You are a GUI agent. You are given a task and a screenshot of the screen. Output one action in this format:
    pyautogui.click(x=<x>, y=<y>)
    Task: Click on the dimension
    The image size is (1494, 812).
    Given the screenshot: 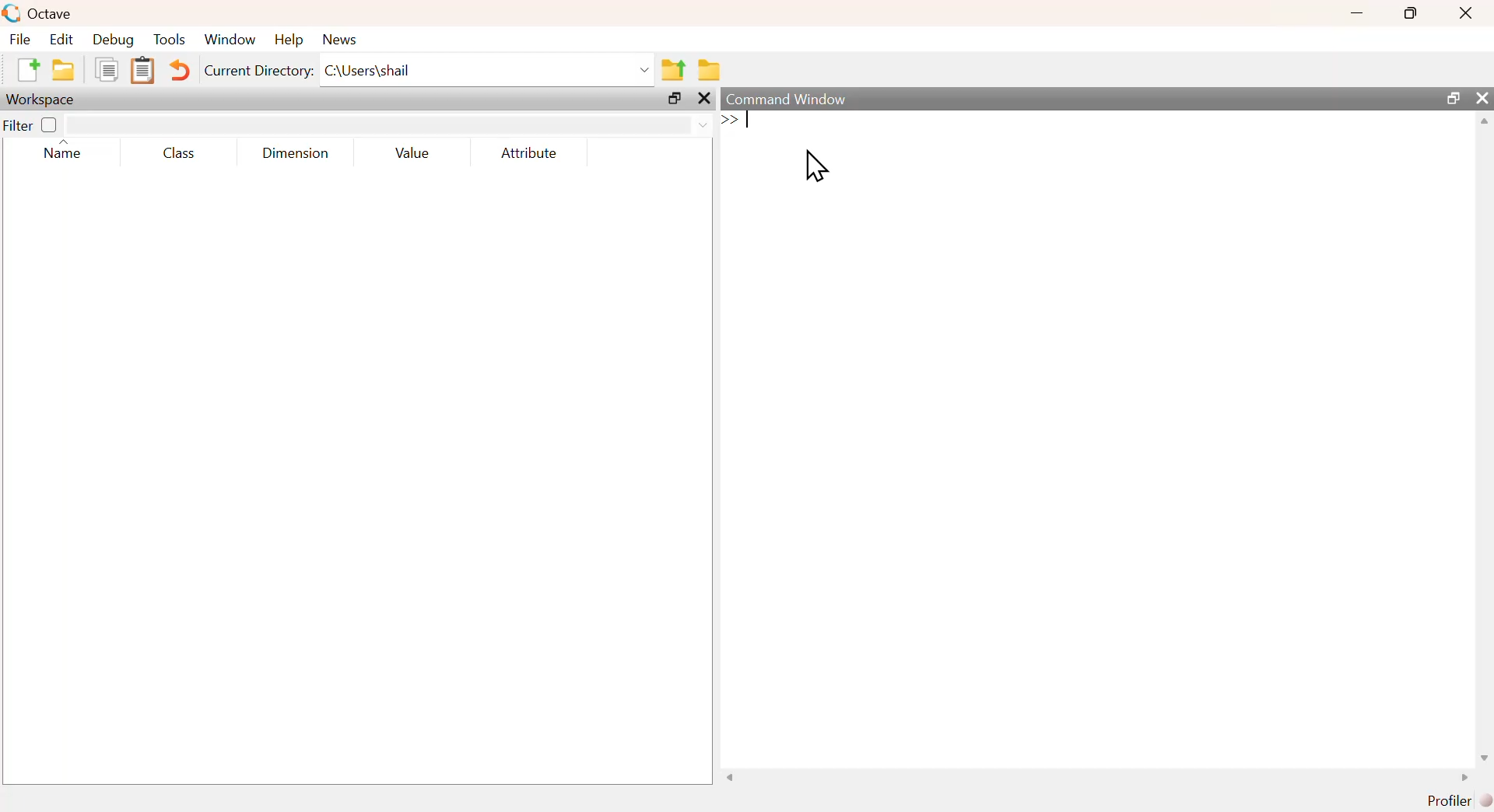 What is the action you would take?
    pyautogui.click(x=291, y=155)
    